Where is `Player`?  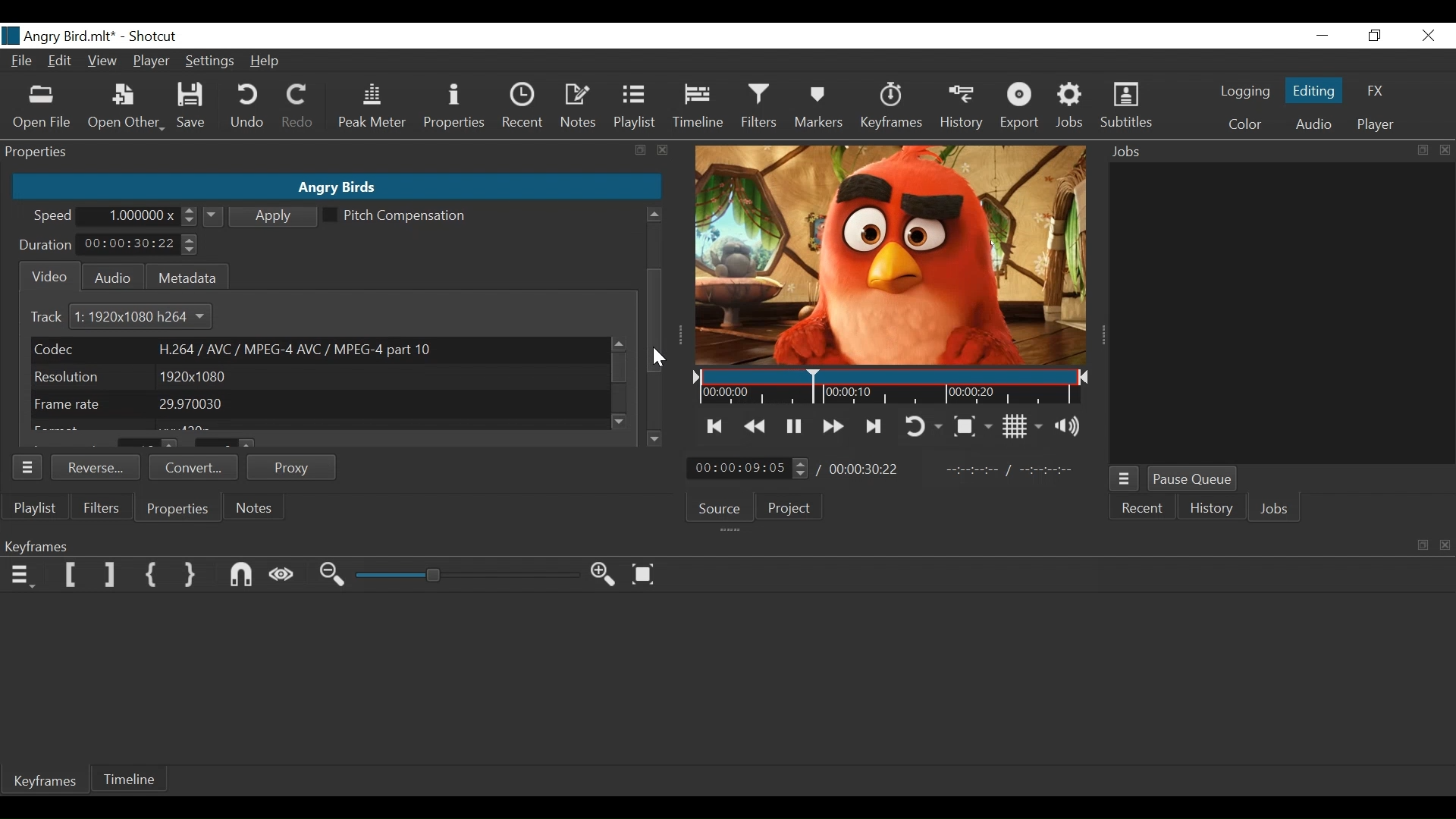 Player is located at coordinates (1376, 124).